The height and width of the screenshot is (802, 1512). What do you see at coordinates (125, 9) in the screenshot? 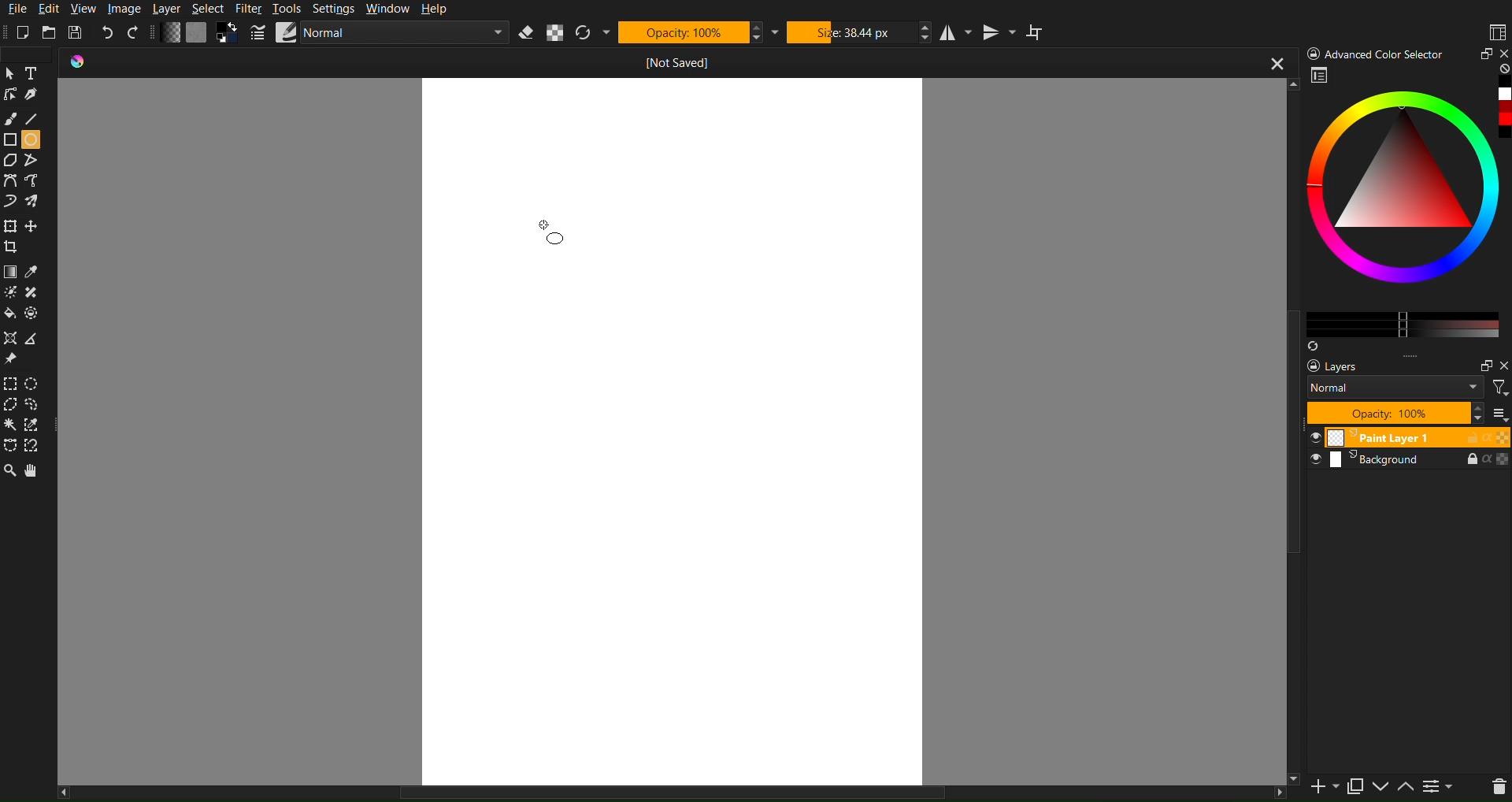
I see `Image` at bounding box center [125, 9].